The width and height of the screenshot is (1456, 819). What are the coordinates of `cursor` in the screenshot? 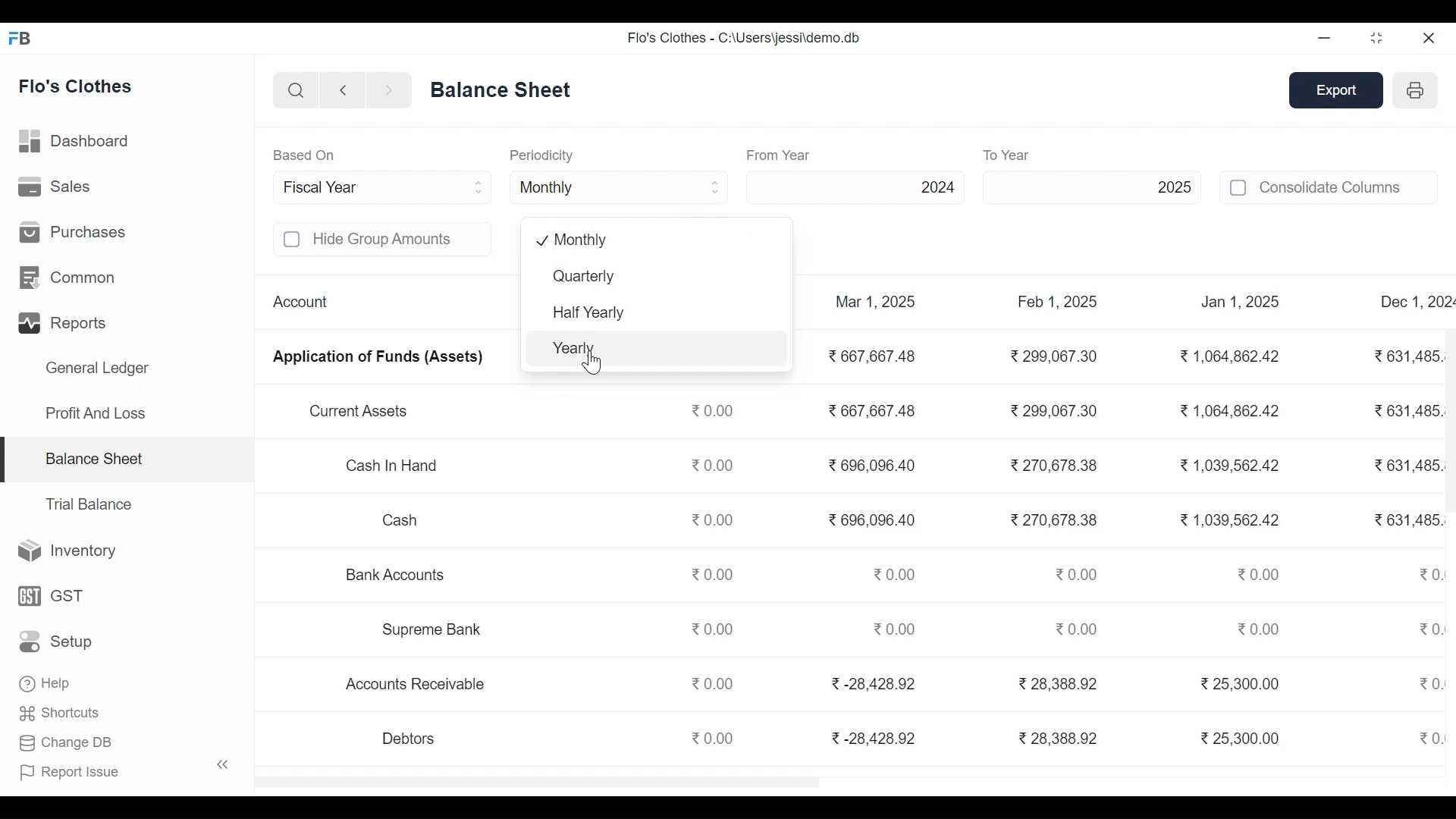 It's located at (594, 361).